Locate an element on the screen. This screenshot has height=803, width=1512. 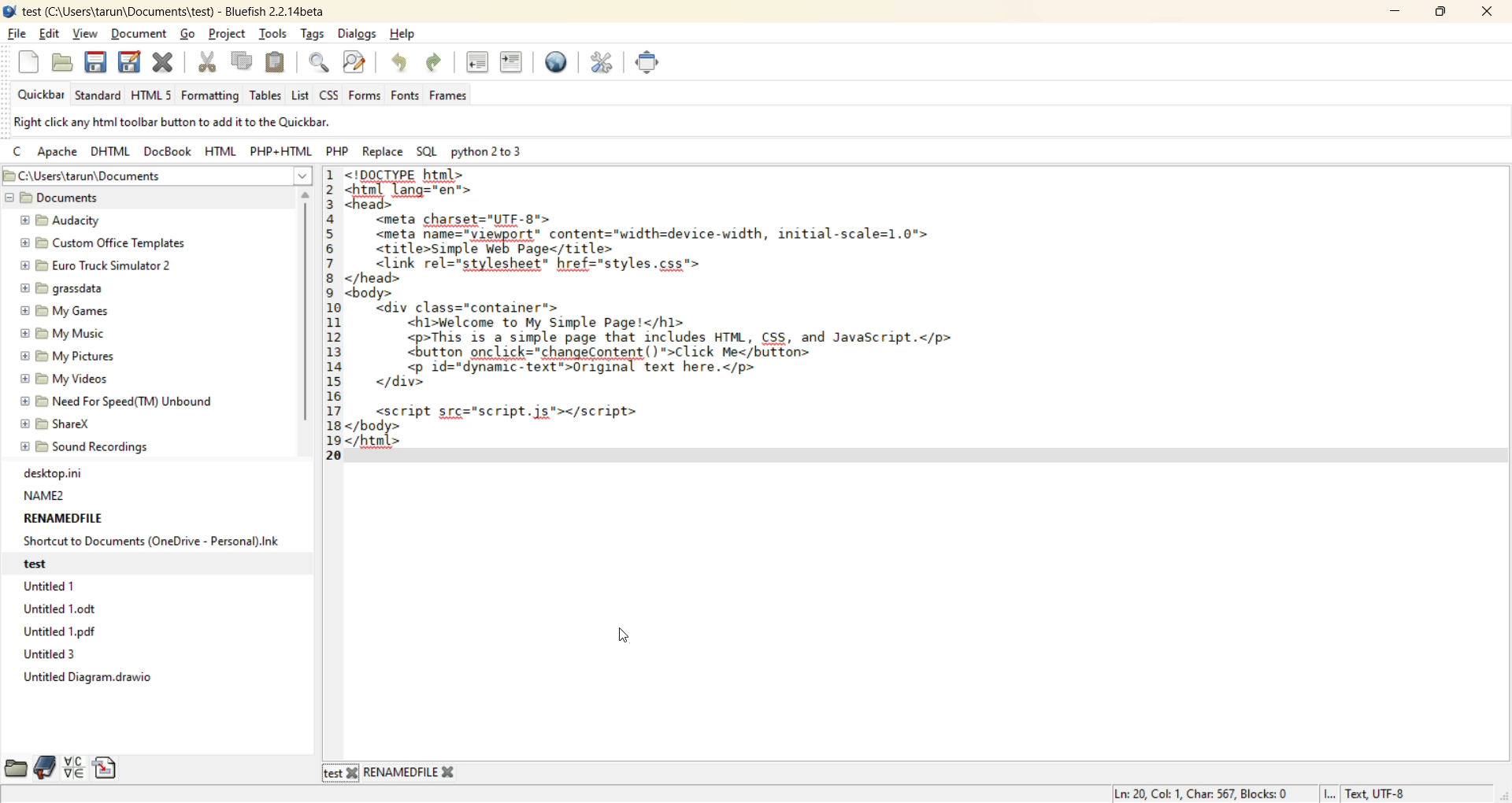
help is located at coordinates (406, 37).